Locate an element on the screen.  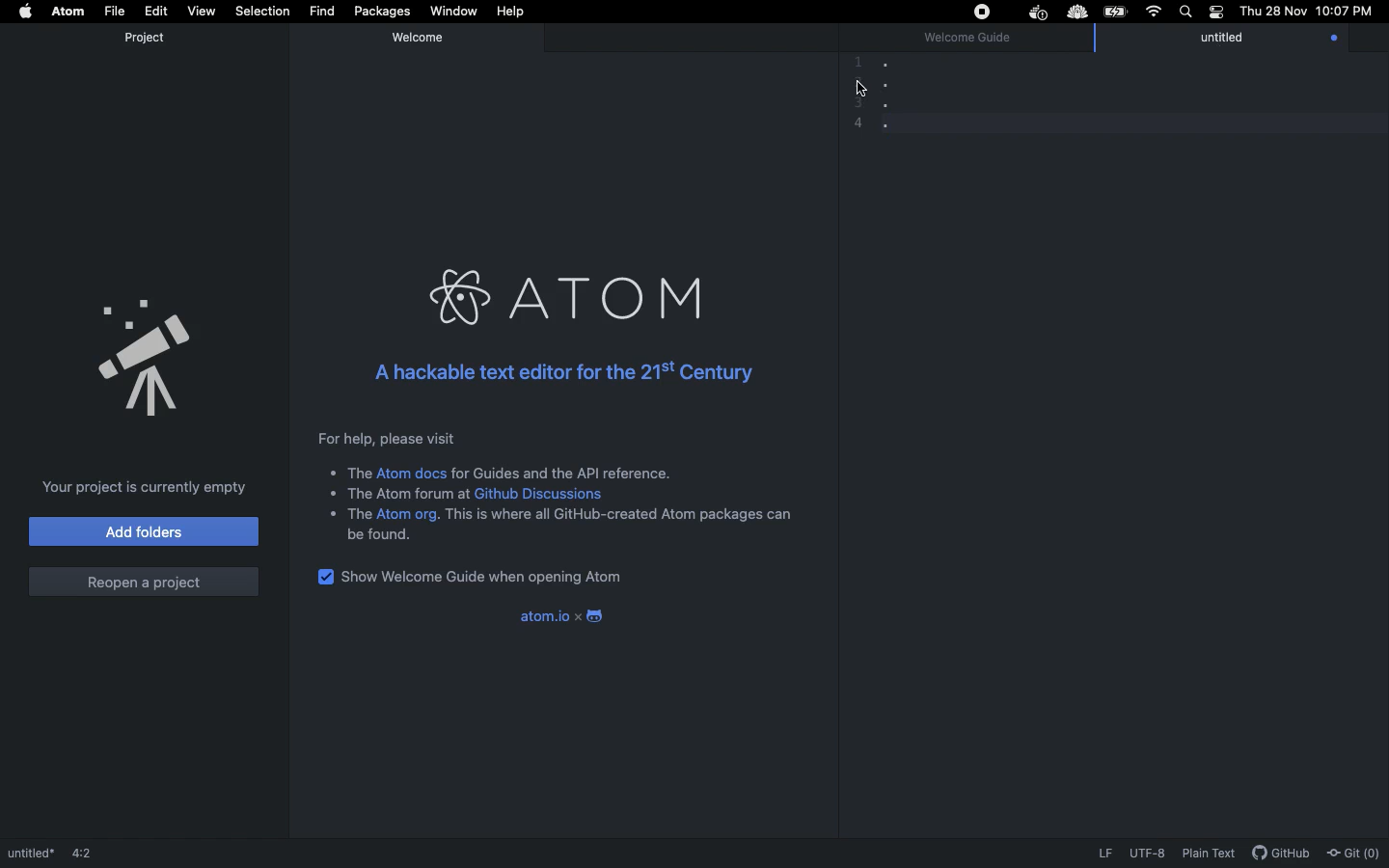
Add folders is located at coordinates (143, 531).